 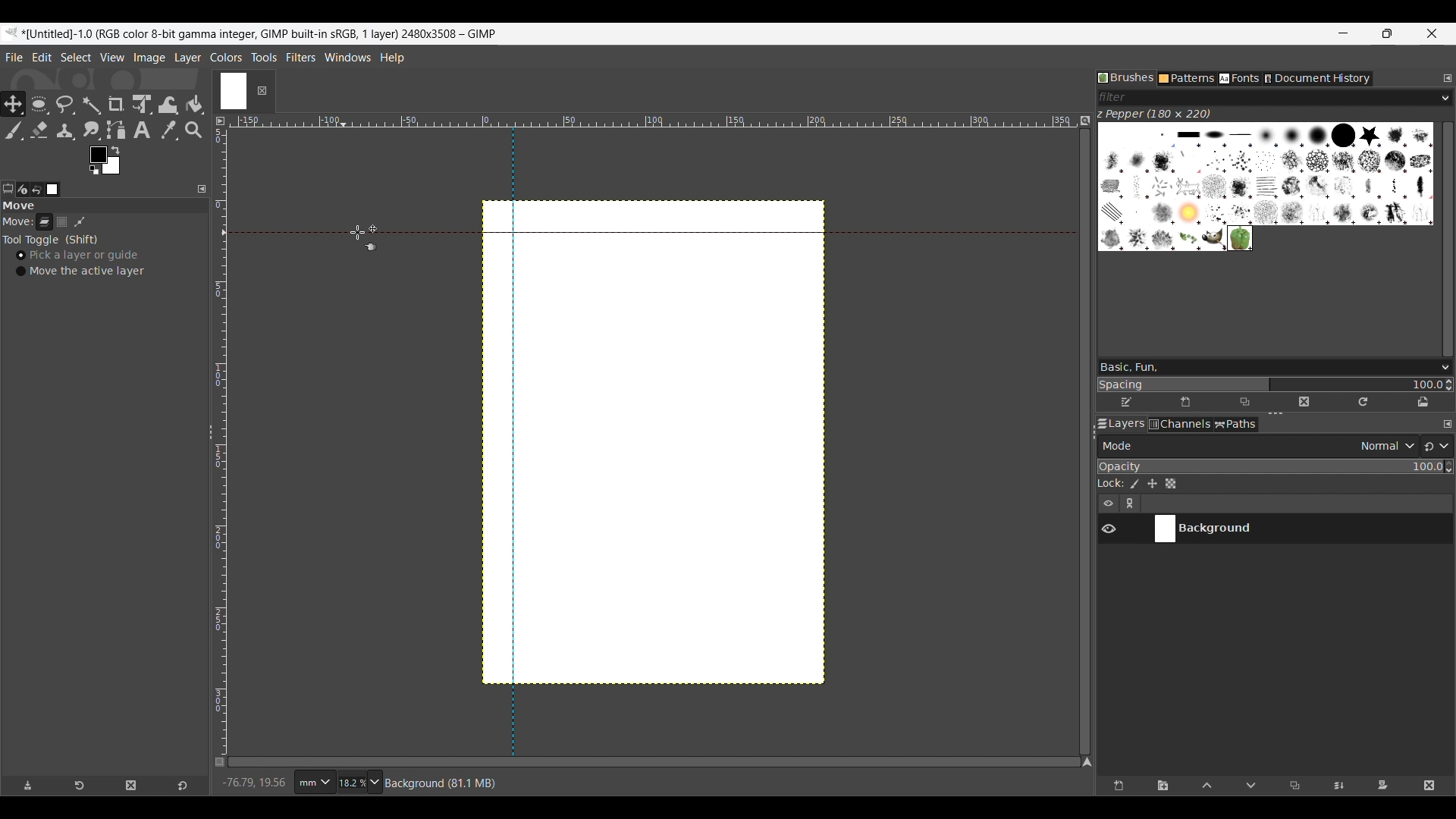 I want to click on Duplicate this brush, so click(x=1244, y=403).